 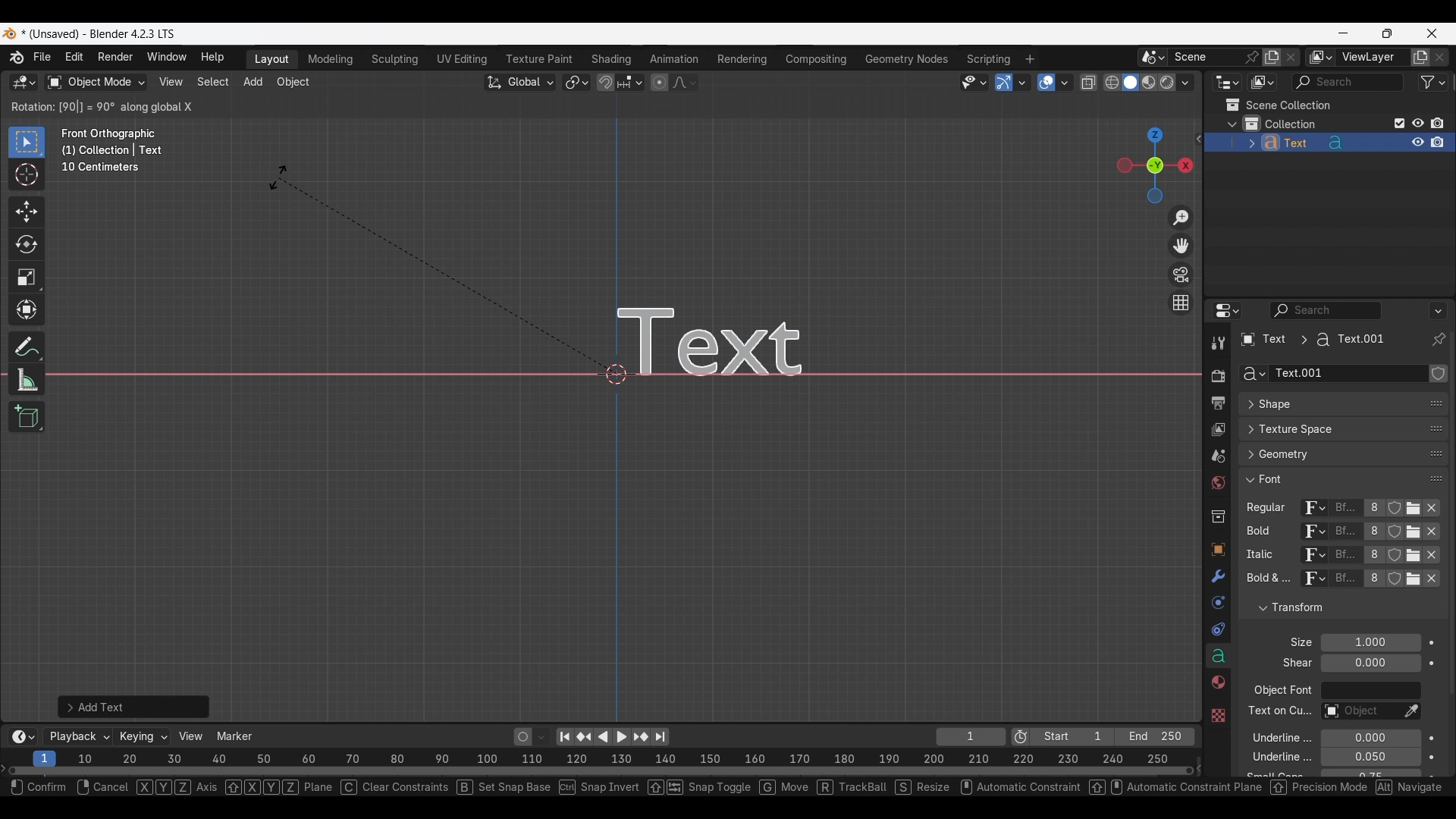 What do you see at coordinates (27, 142) in the screenshot?
I see `Select box` at bounding box center [27, 142].